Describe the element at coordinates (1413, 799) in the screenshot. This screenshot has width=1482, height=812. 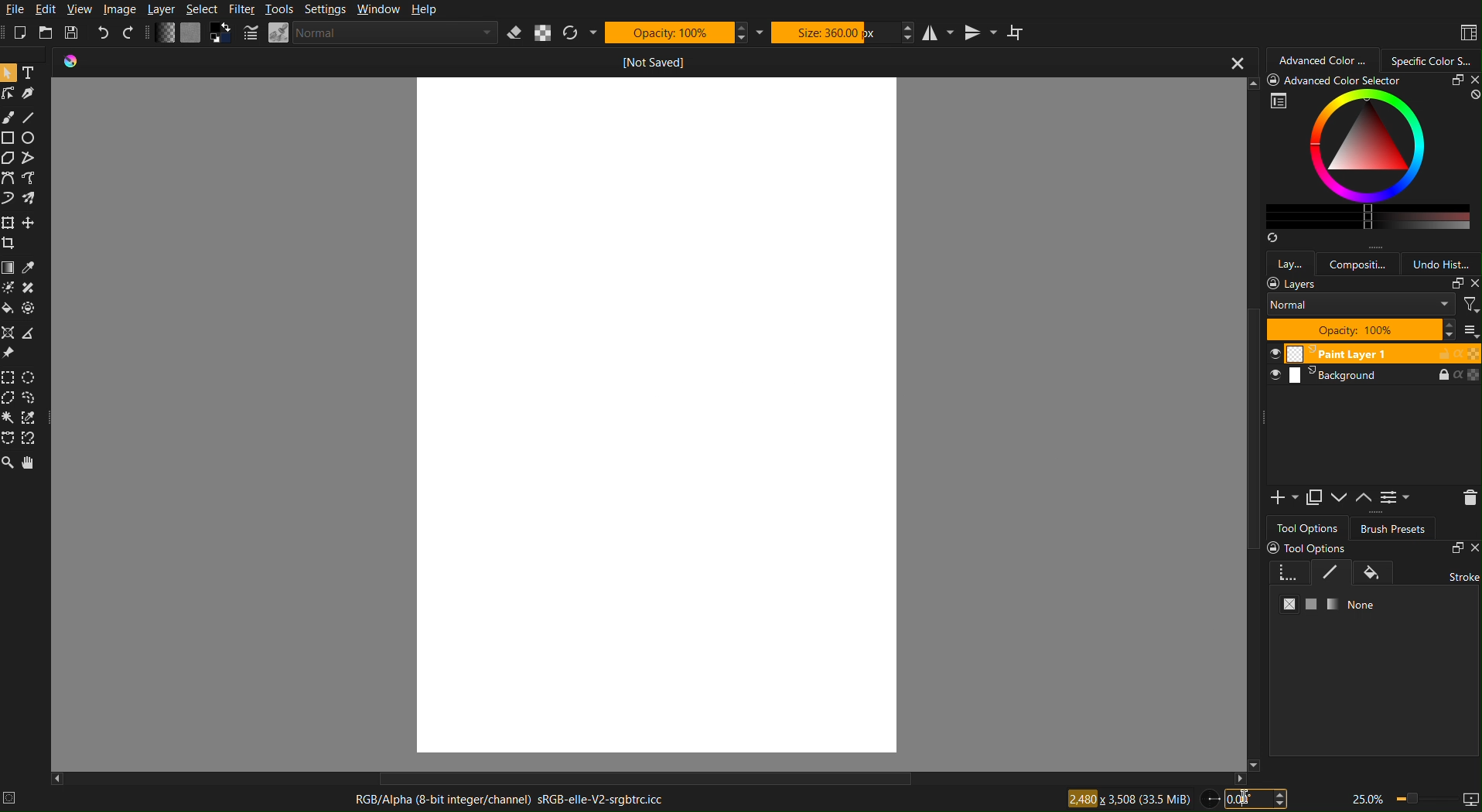
I see `Zoom` at that location.